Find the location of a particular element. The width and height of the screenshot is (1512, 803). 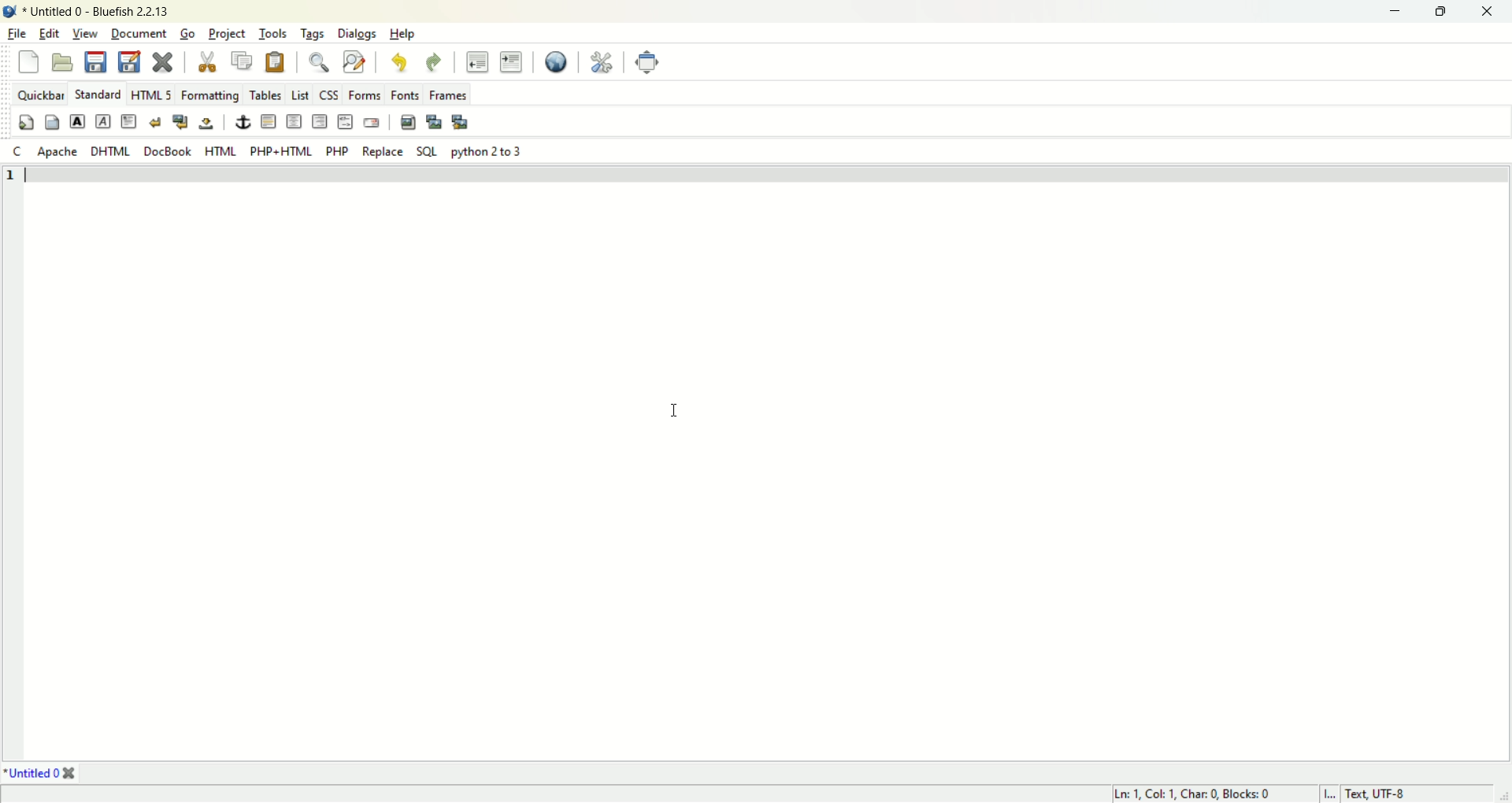

fonts is located at coordinates (407, 95).